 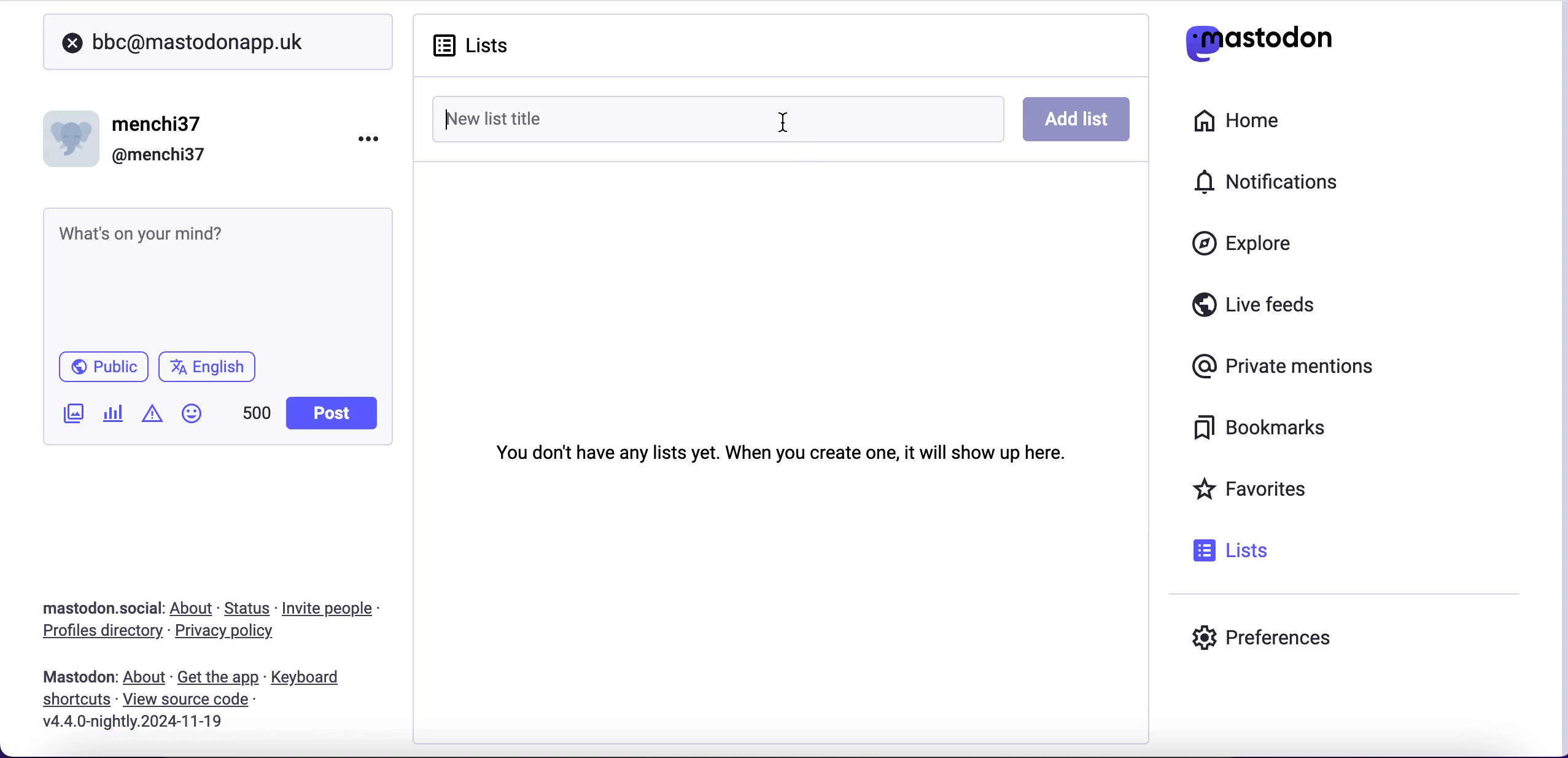 I want to click on about, so click(x=147, y=678).